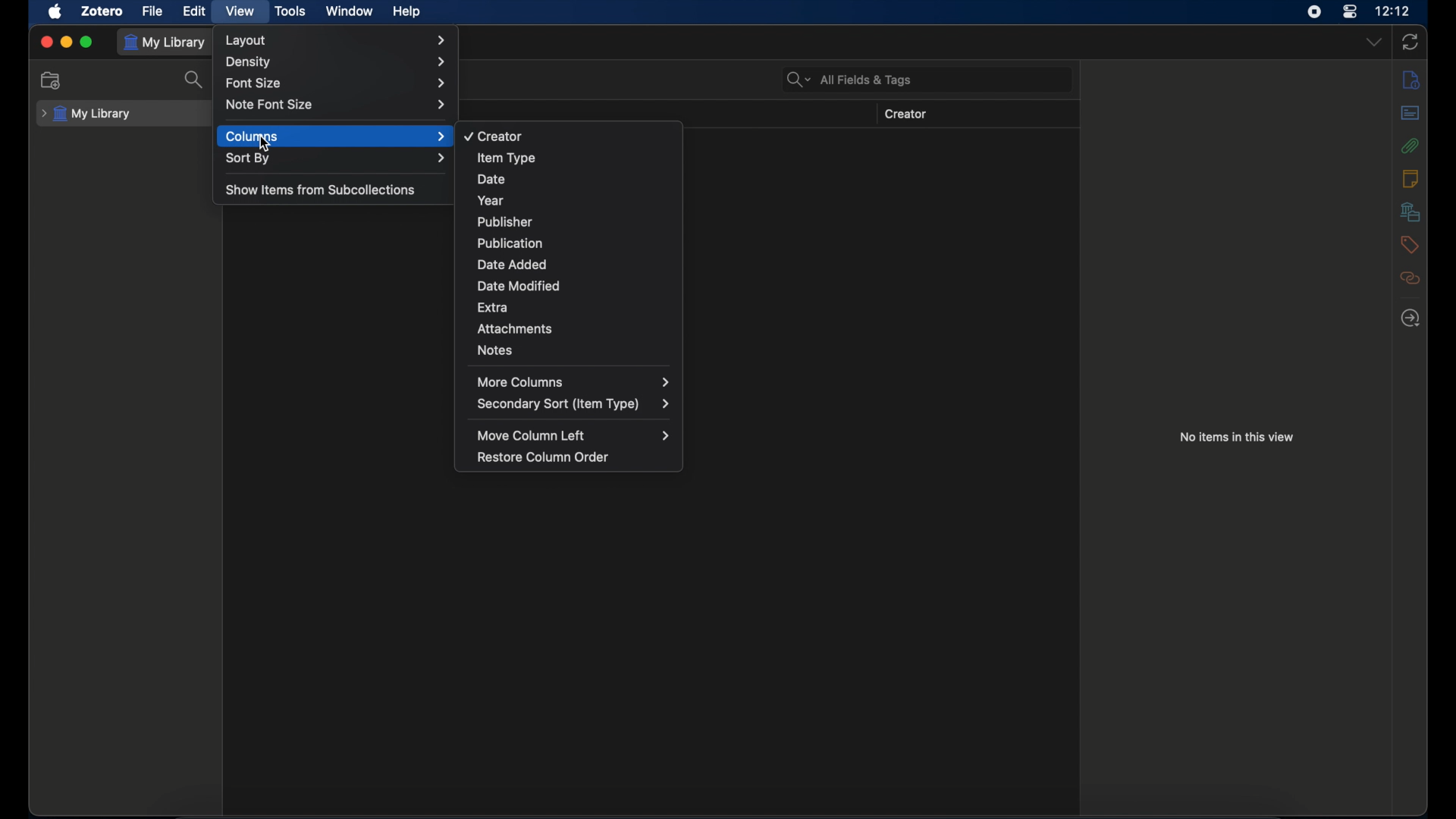  I want to click on abstract, so click(1411, 113).